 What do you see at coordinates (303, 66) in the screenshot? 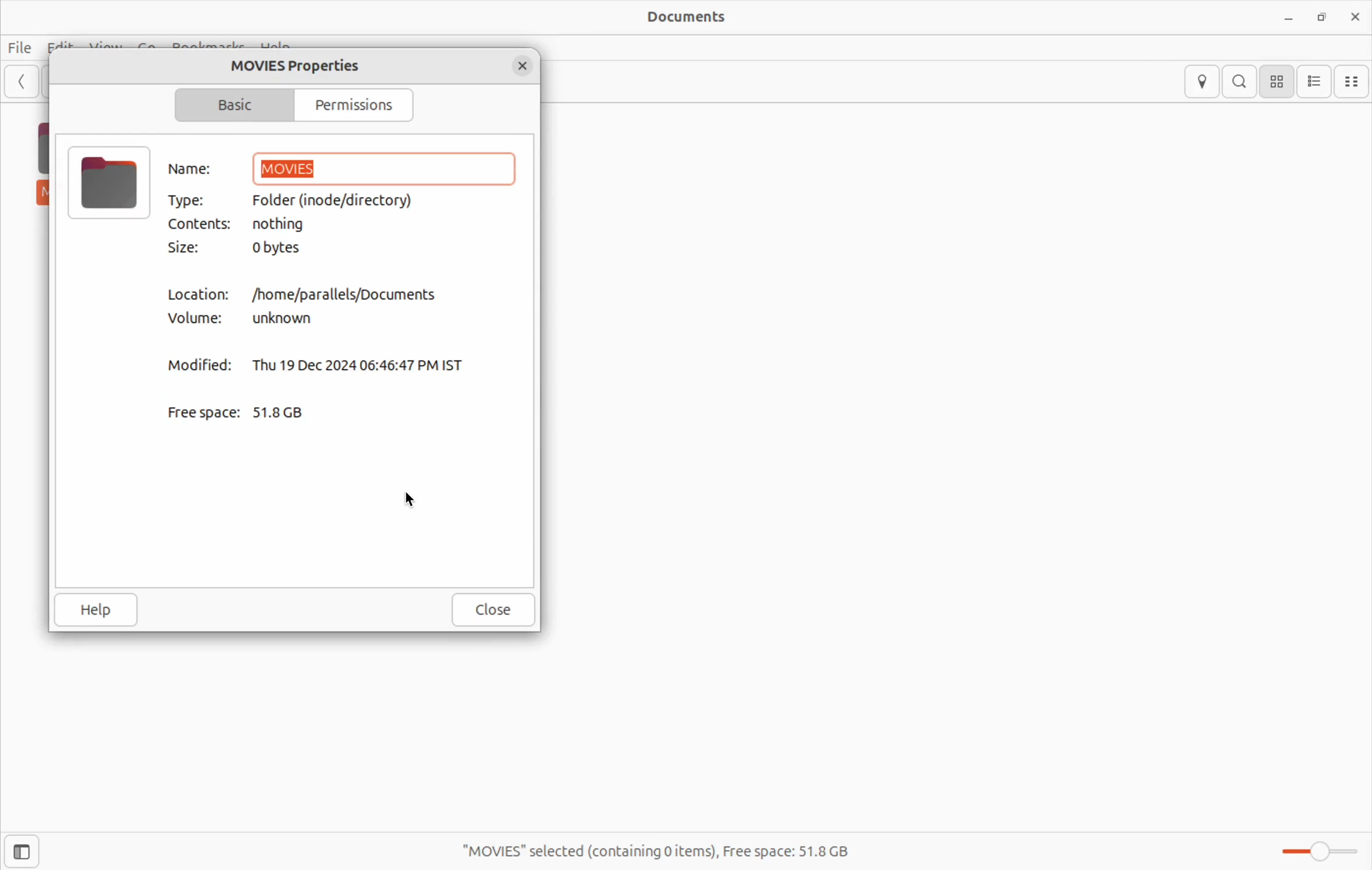
I see `MOVIES Properties` at bounding box center [303, 66].